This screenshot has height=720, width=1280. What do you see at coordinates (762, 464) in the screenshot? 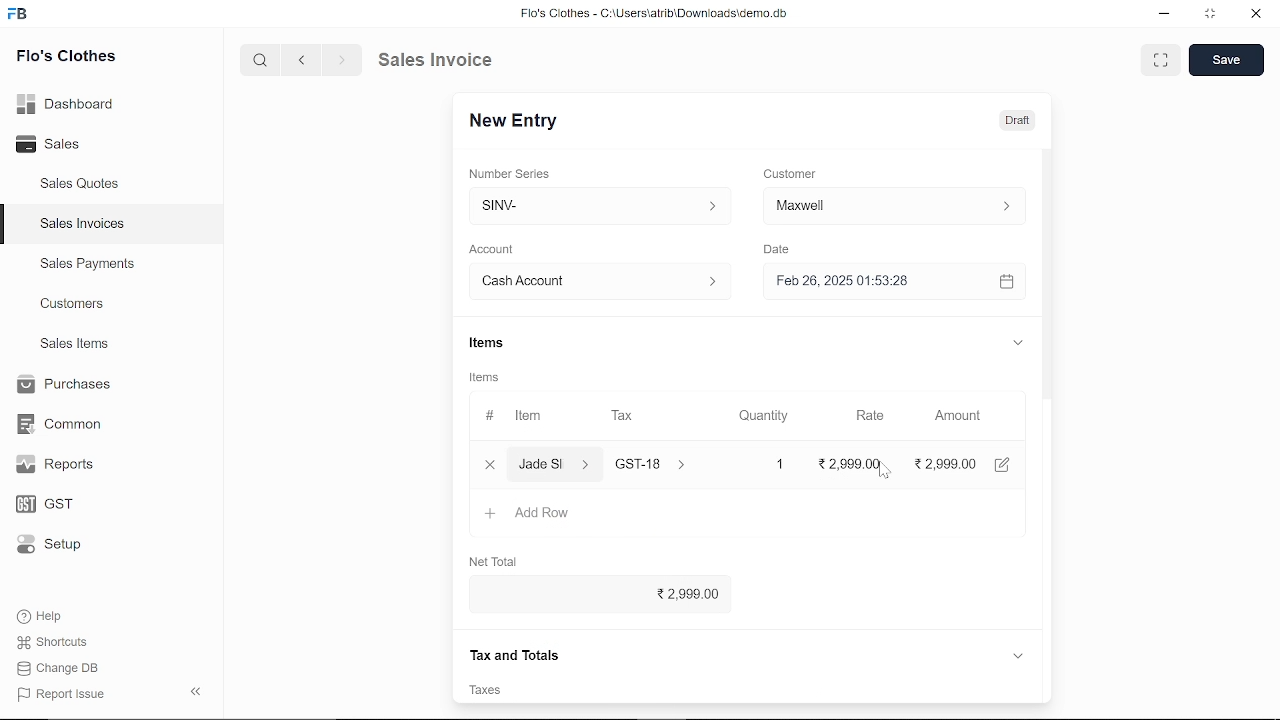
I see `1` at bounding box center [762, 464].